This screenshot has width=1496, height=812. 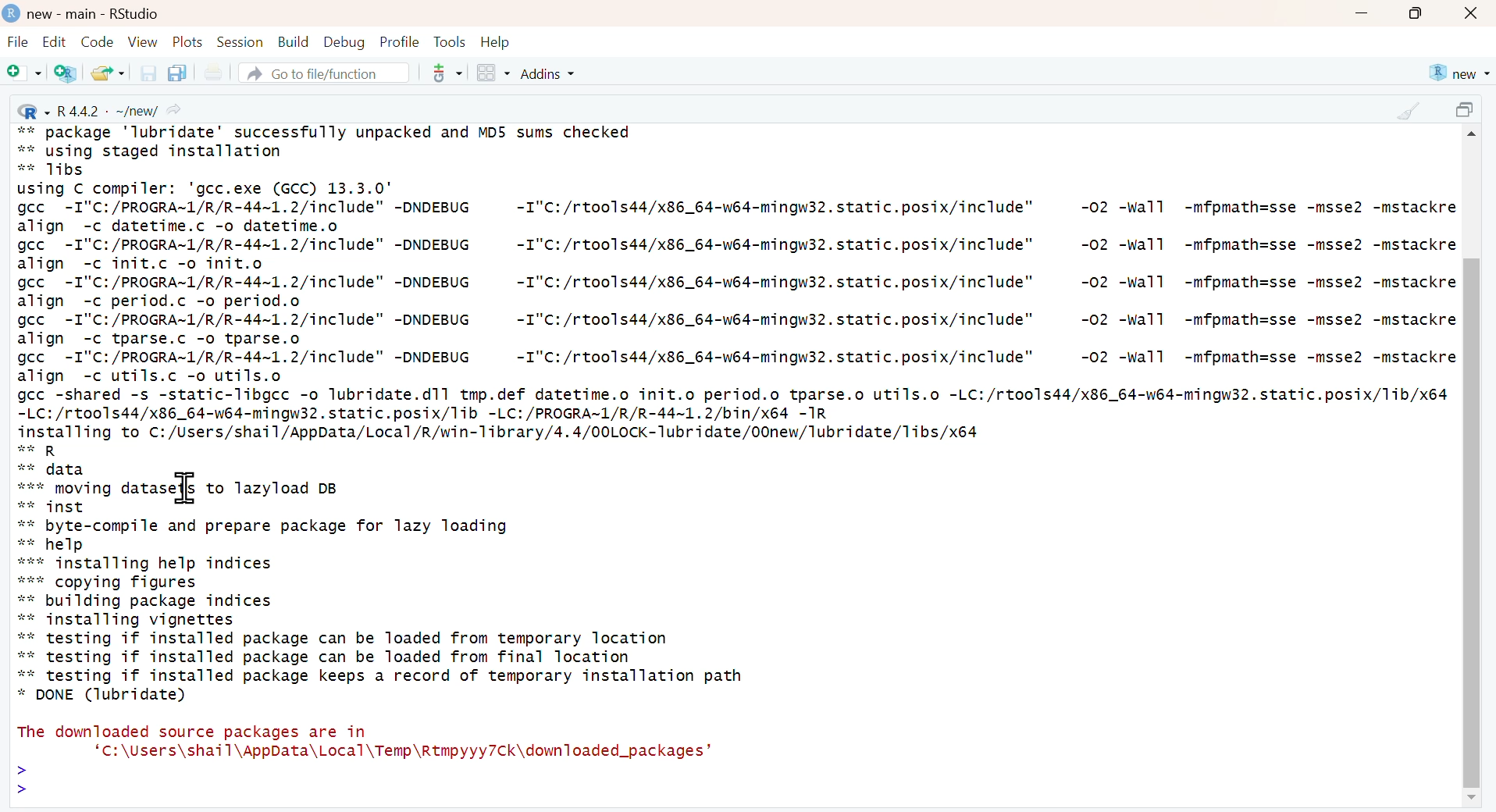 I want to click on scroll down, so click(x=1469, y=799).